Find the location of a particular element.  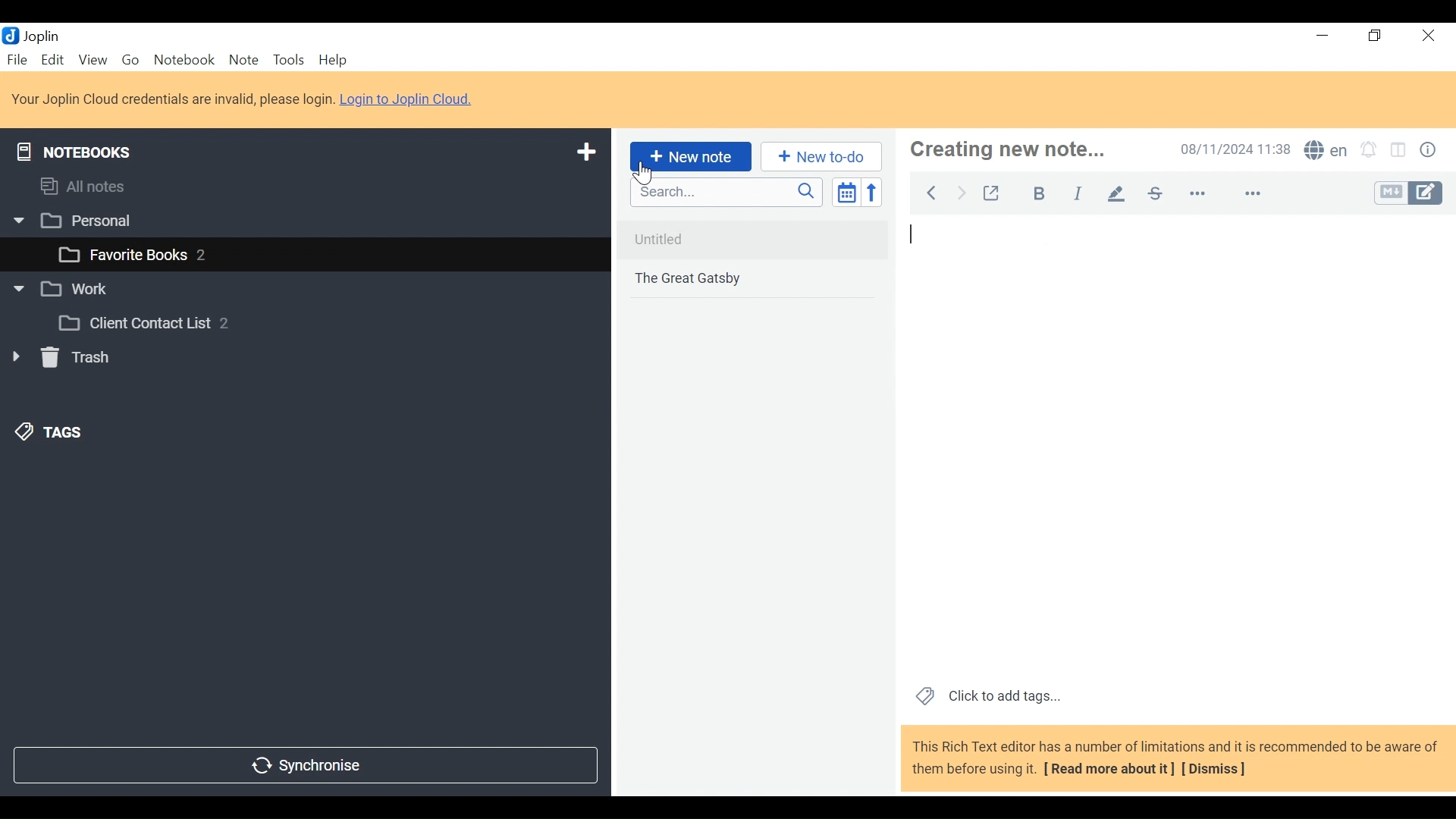

Toggle display layout is located at coordinates (1398, 151).